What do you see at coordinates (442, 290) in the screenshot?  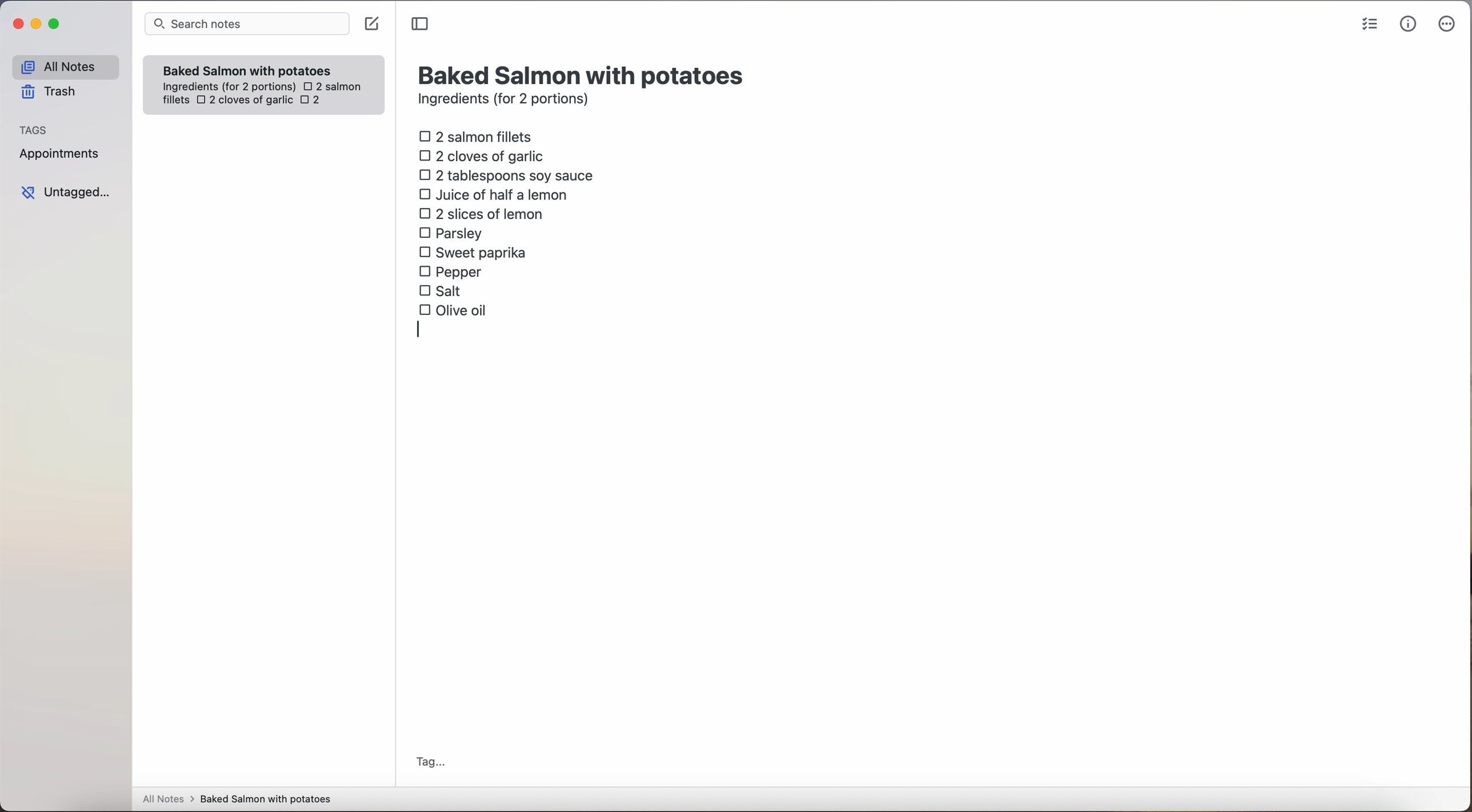 I see `salt` at bounding box center [442, 290].